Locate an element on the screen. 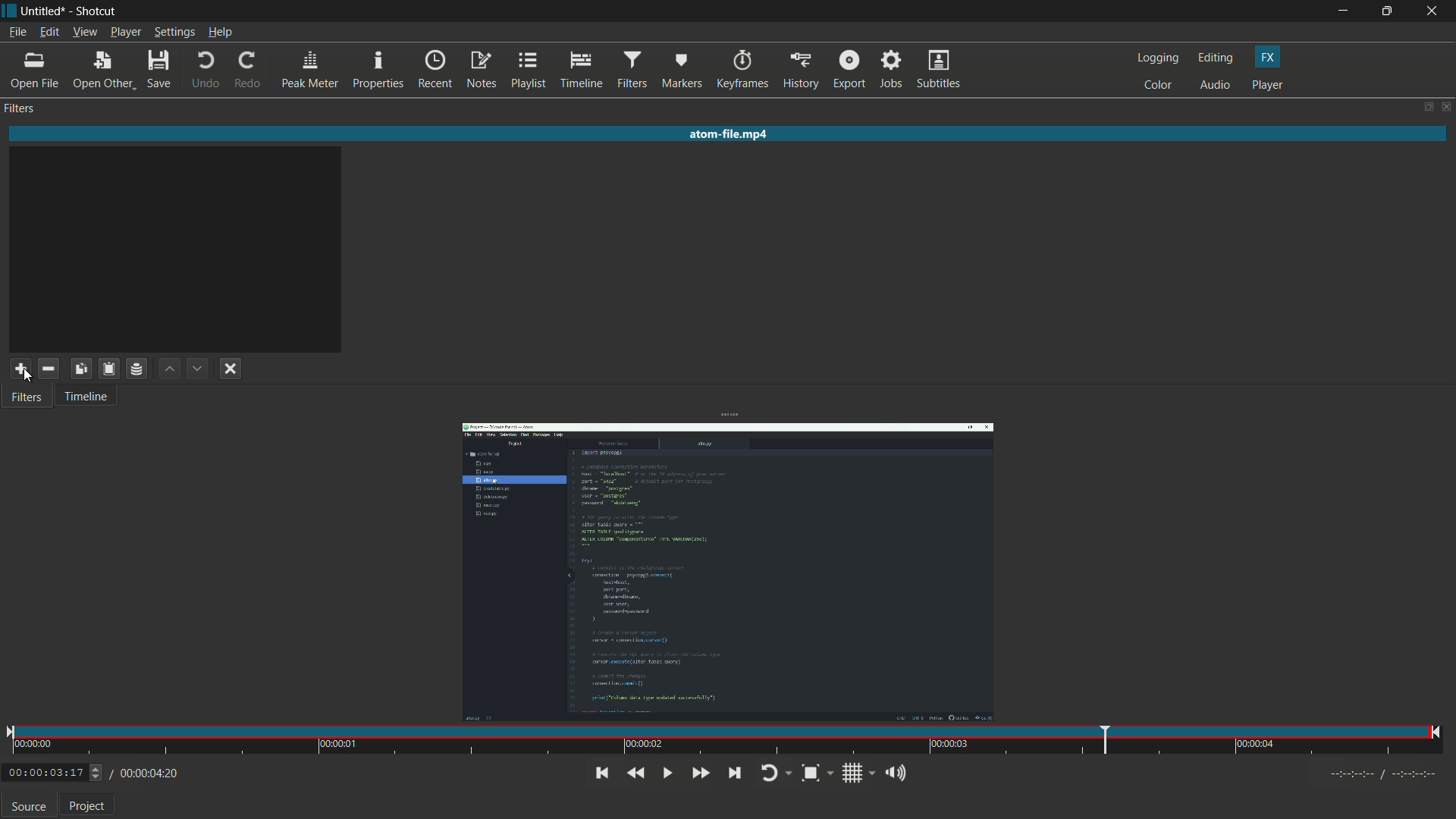 The width and height of the screenshot is (1456, 819). help menu is located at coordinates (219, 32).